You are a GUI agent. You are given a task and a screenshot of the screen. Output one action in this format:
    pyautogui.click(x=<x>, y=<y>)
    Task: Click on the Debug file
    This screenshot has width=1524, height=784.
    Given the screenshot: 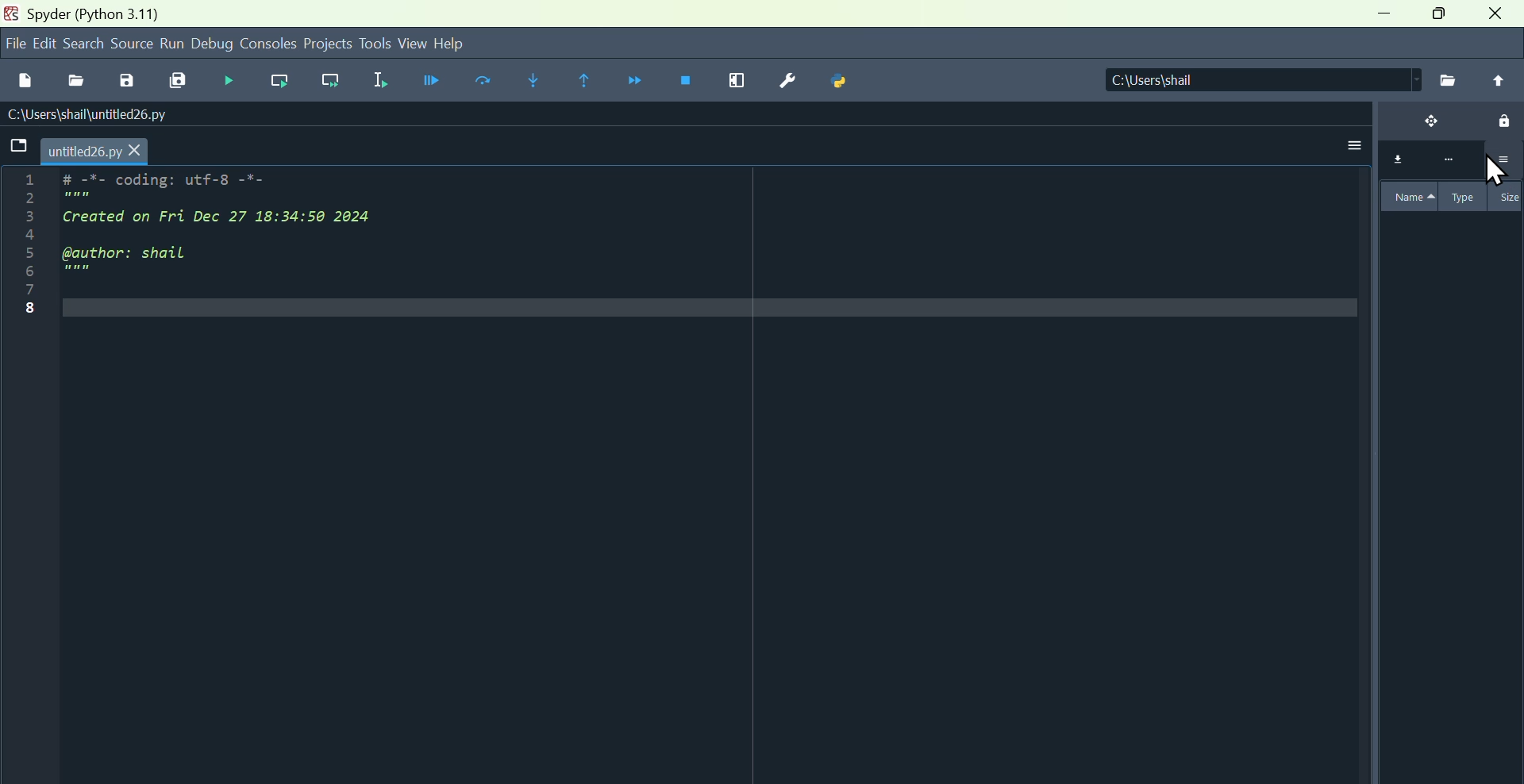 What is the action you would take?
    pyautogui.click(x=427, y=81)
    